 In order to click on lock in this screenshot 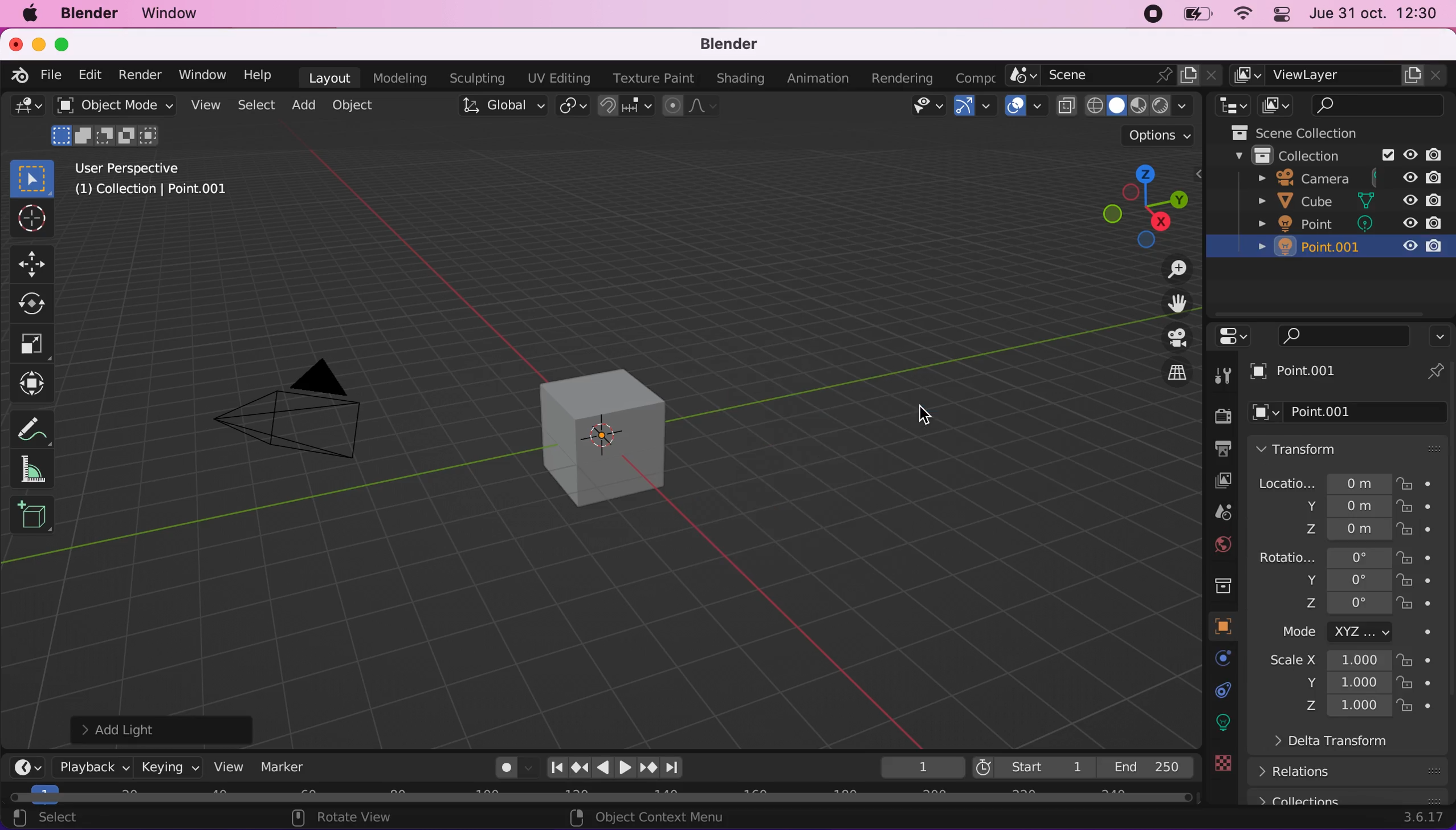, I will do `click(1422, 531)`.